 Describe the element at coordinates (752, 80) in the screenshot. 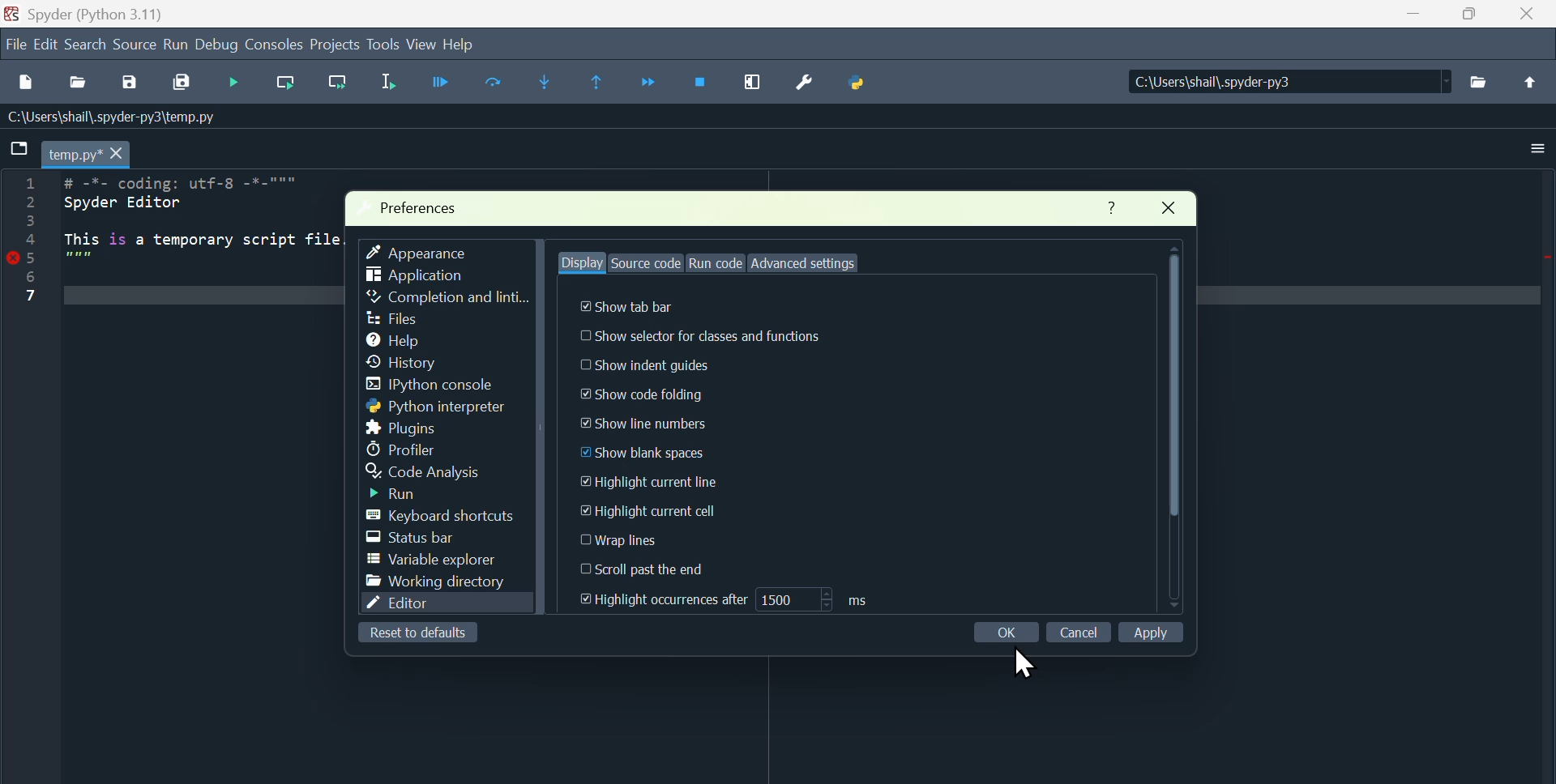

I see `Maximise current window` at that location.